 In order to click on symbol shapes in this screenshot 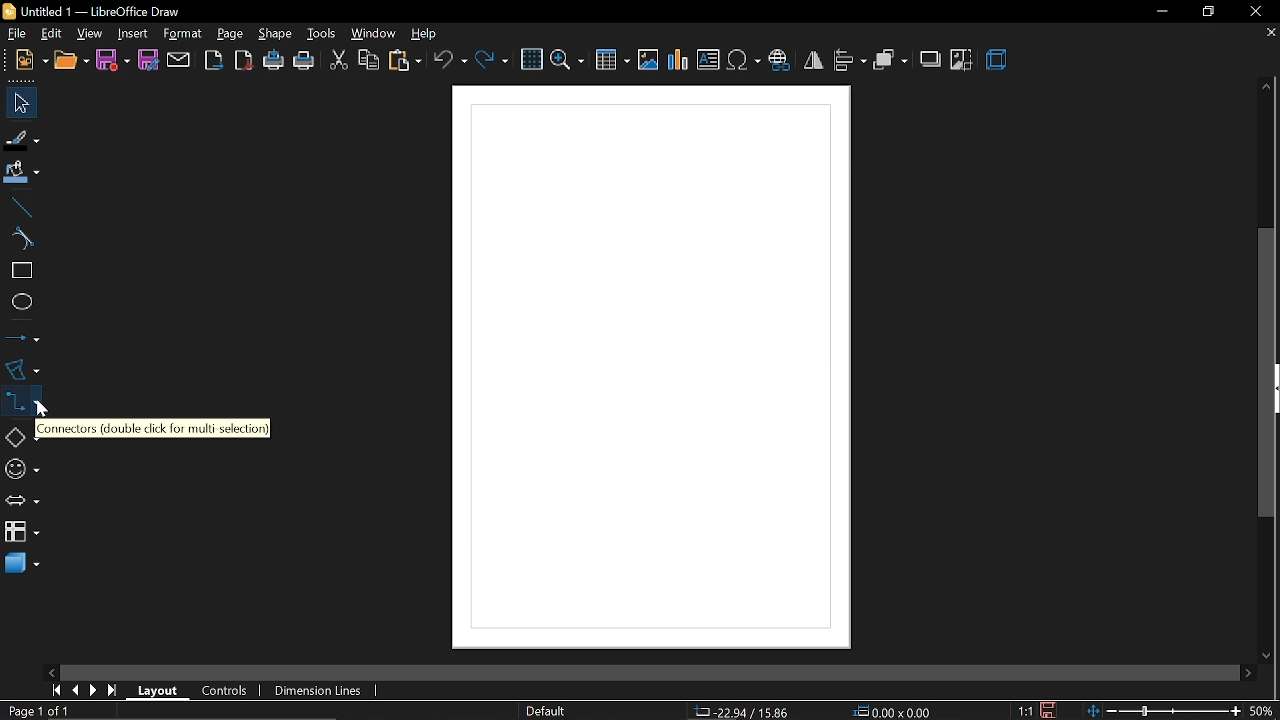, I will do `click(20, 466)`.